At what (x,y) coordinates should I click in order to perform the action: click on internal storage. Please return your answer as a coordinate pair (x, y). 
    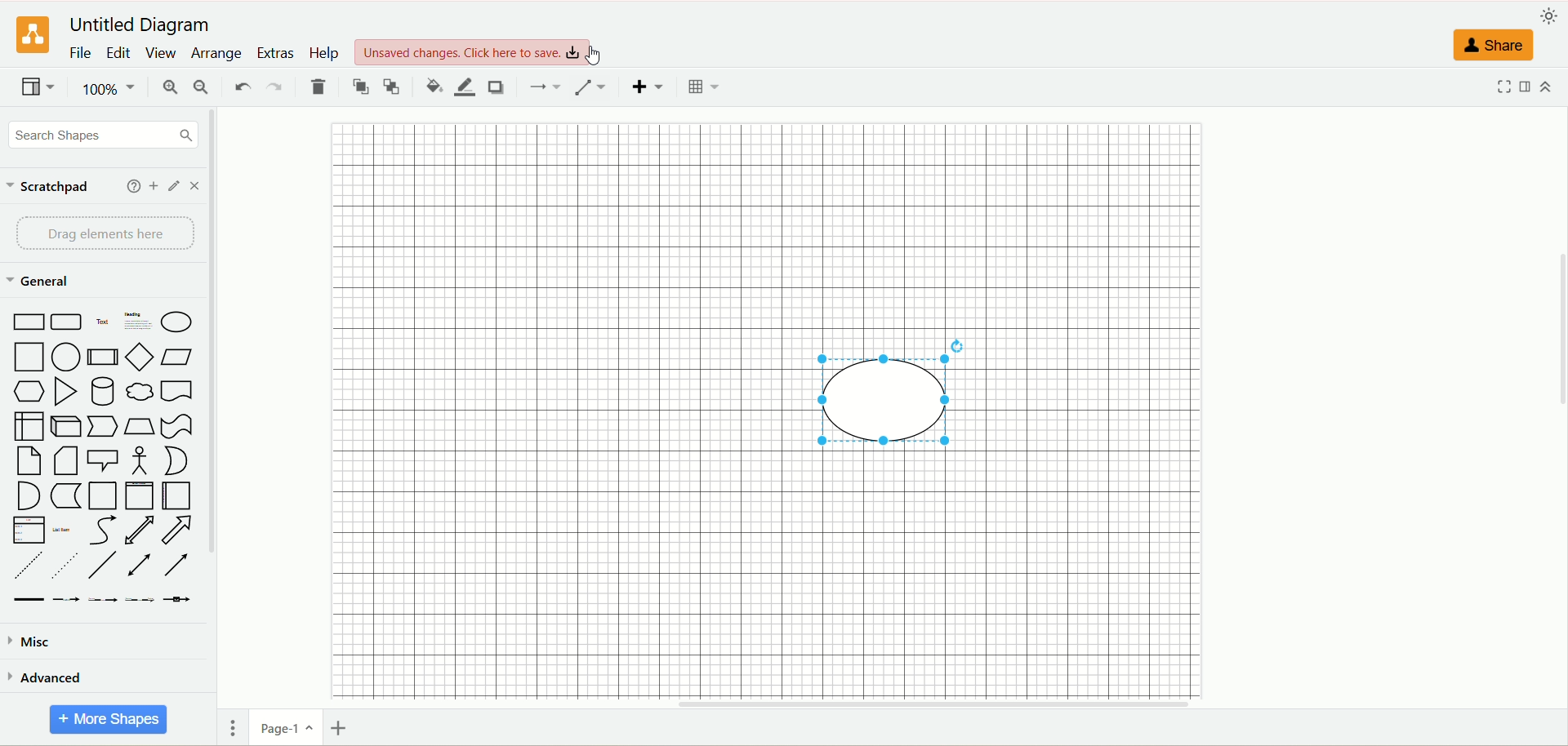
    Looking at the image, I should click on (29, 426).